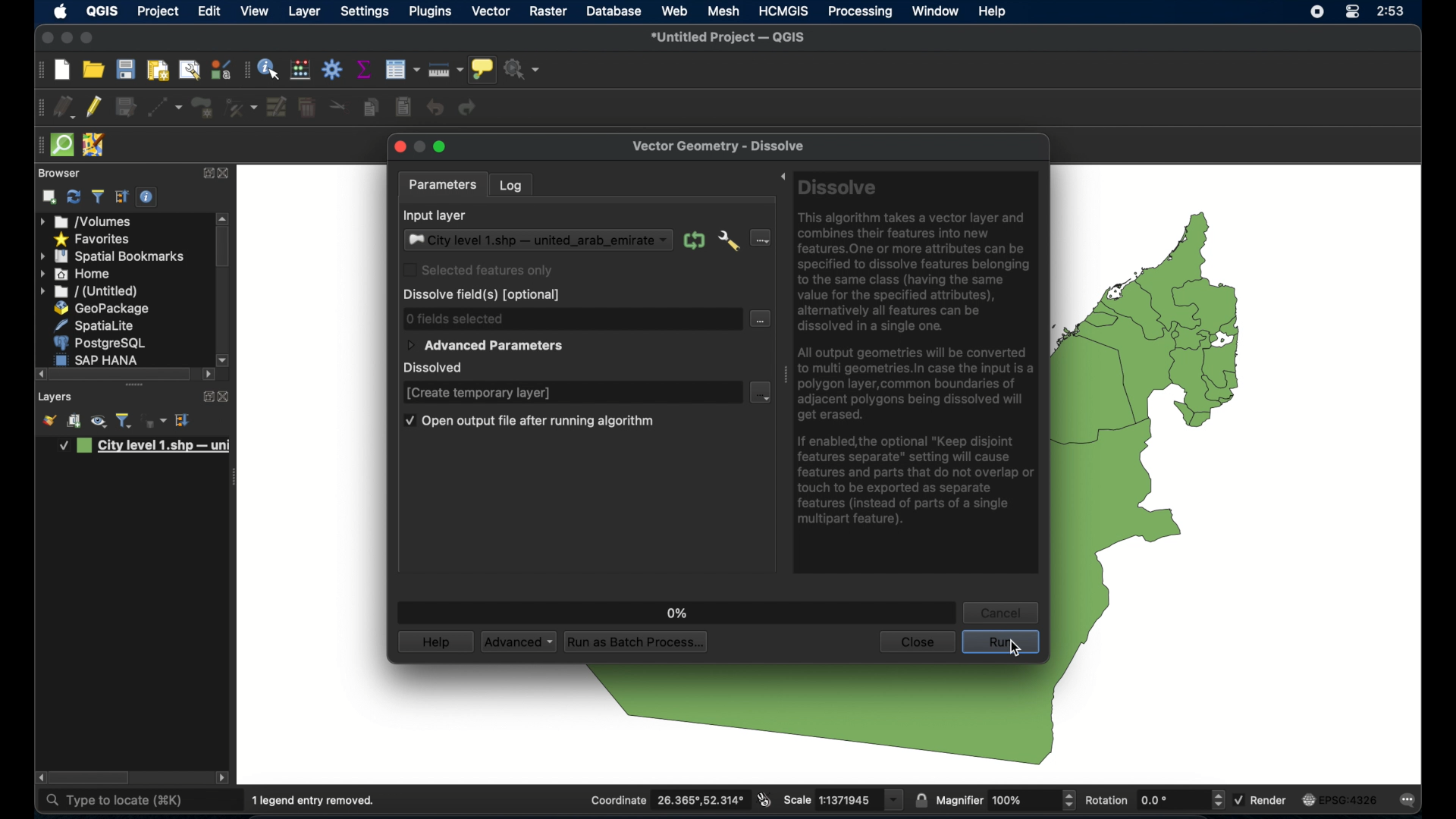  What do you see at coordinates (39, 71) in the screenshot?
I see `project toolbar` at bounding box center [39, 71].